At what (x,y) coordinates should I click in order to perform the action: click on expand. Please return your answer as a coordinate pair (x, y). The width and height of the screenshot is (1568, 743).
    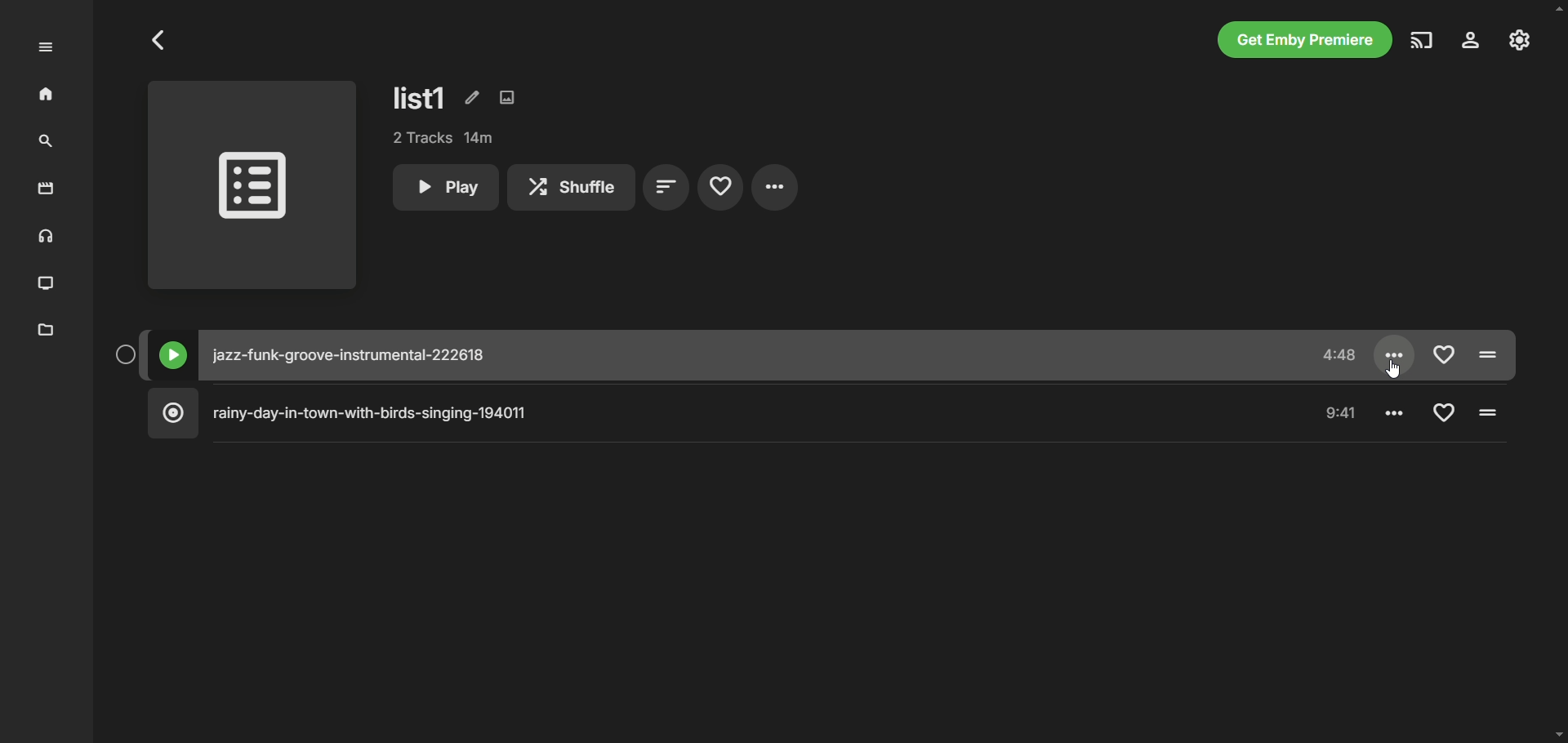
    Looking at the image, I should click on (46, 47).